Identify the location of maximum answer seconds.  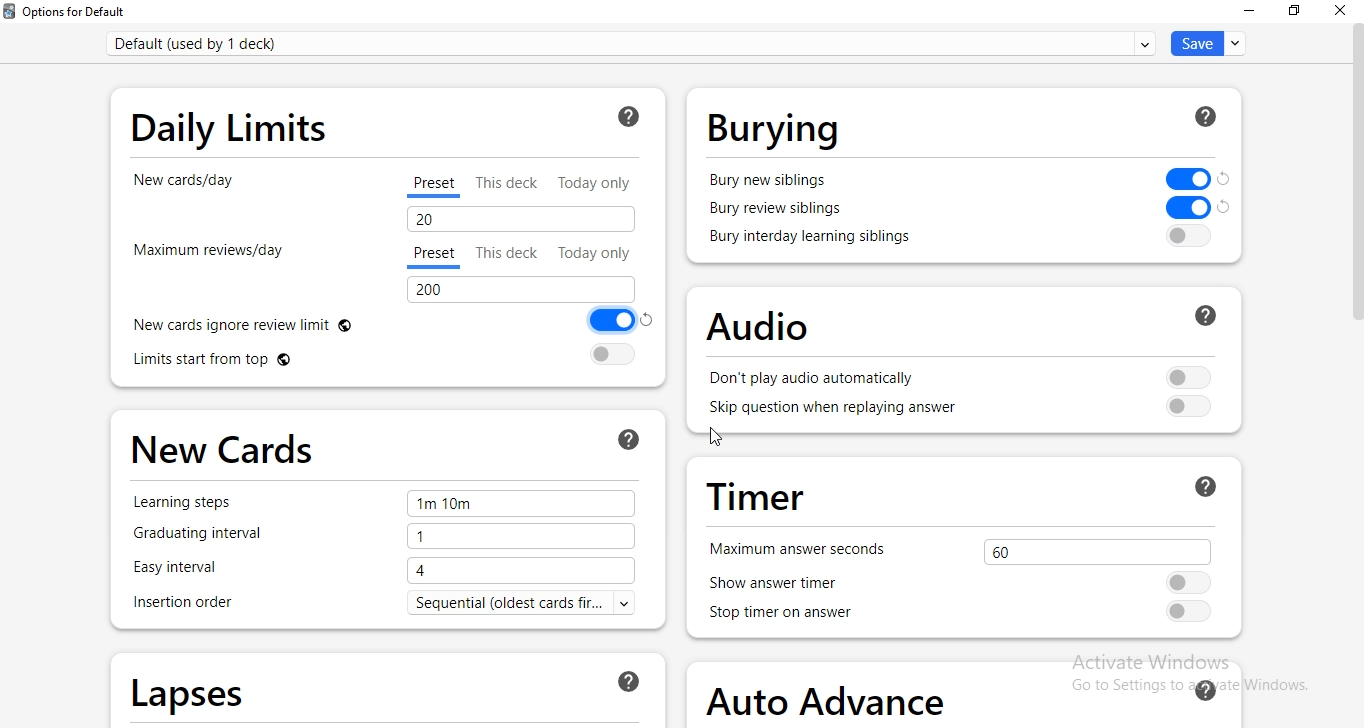
(797, 549).